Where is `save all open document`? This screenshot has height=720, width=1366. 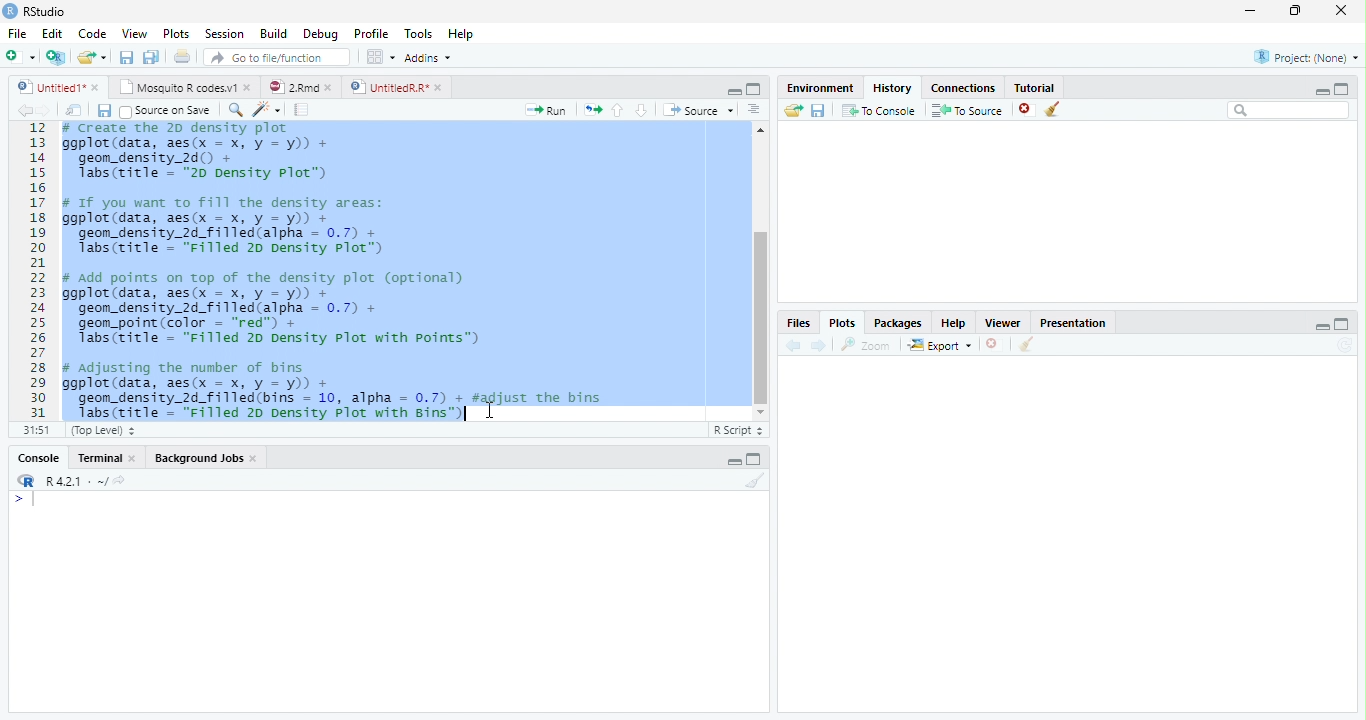 save all open document is located at coordinates (151, 56).